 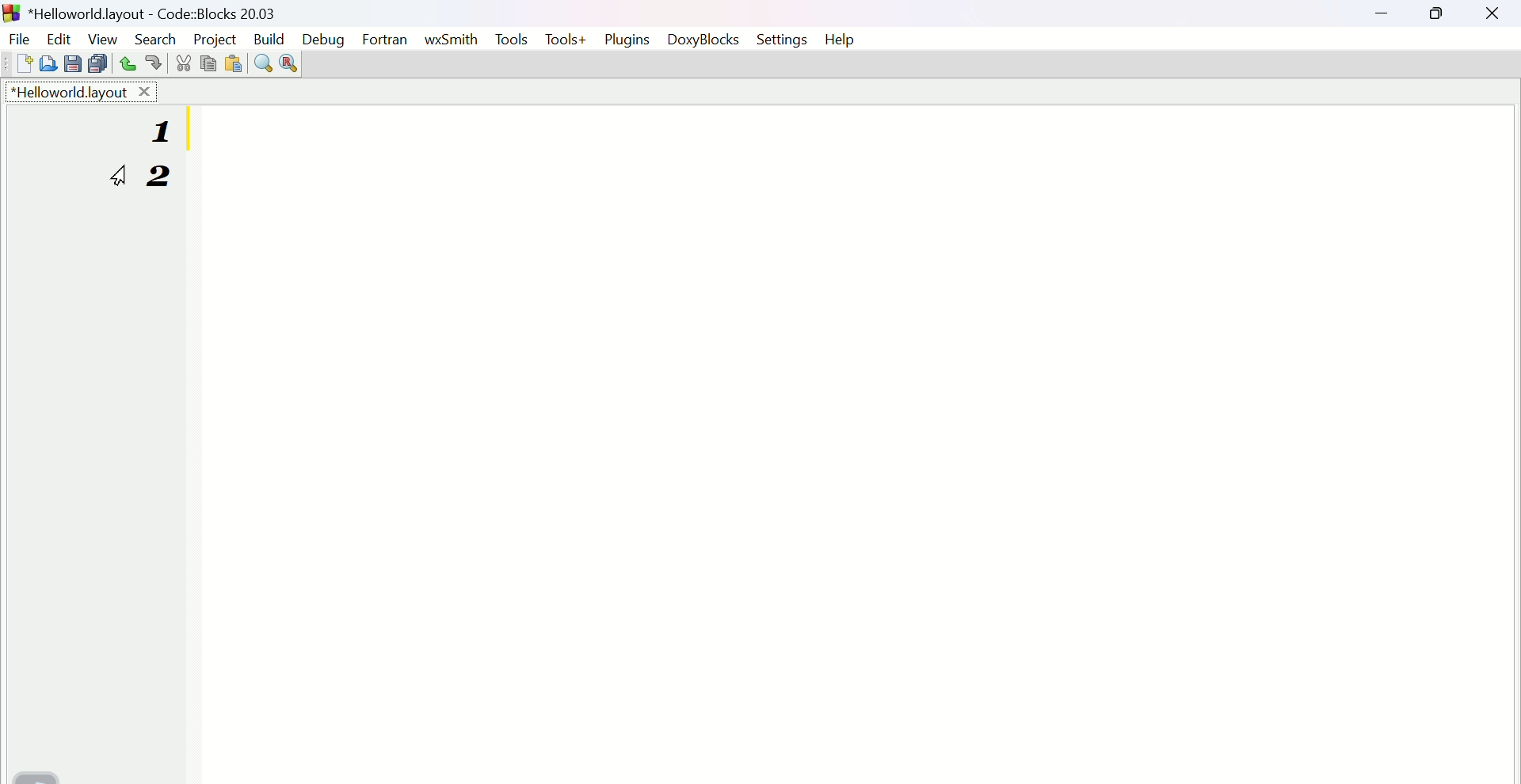 What do you see at coordinates (232, 63) in the screenshot?
I see `Paste` at bounding box center [232, 63].